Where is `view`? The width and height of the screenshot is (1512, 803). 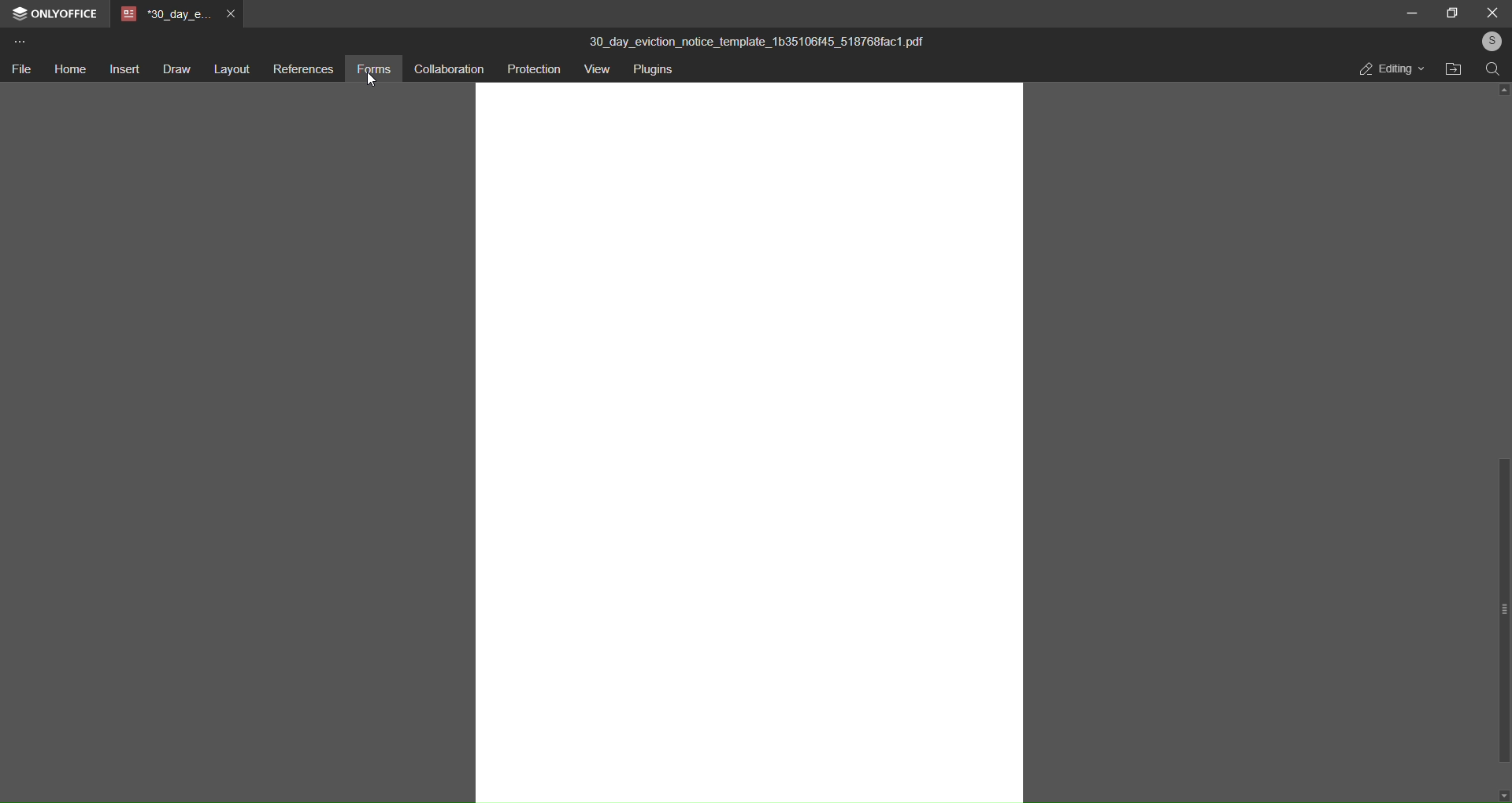
view is located at coordinates (598, 70).